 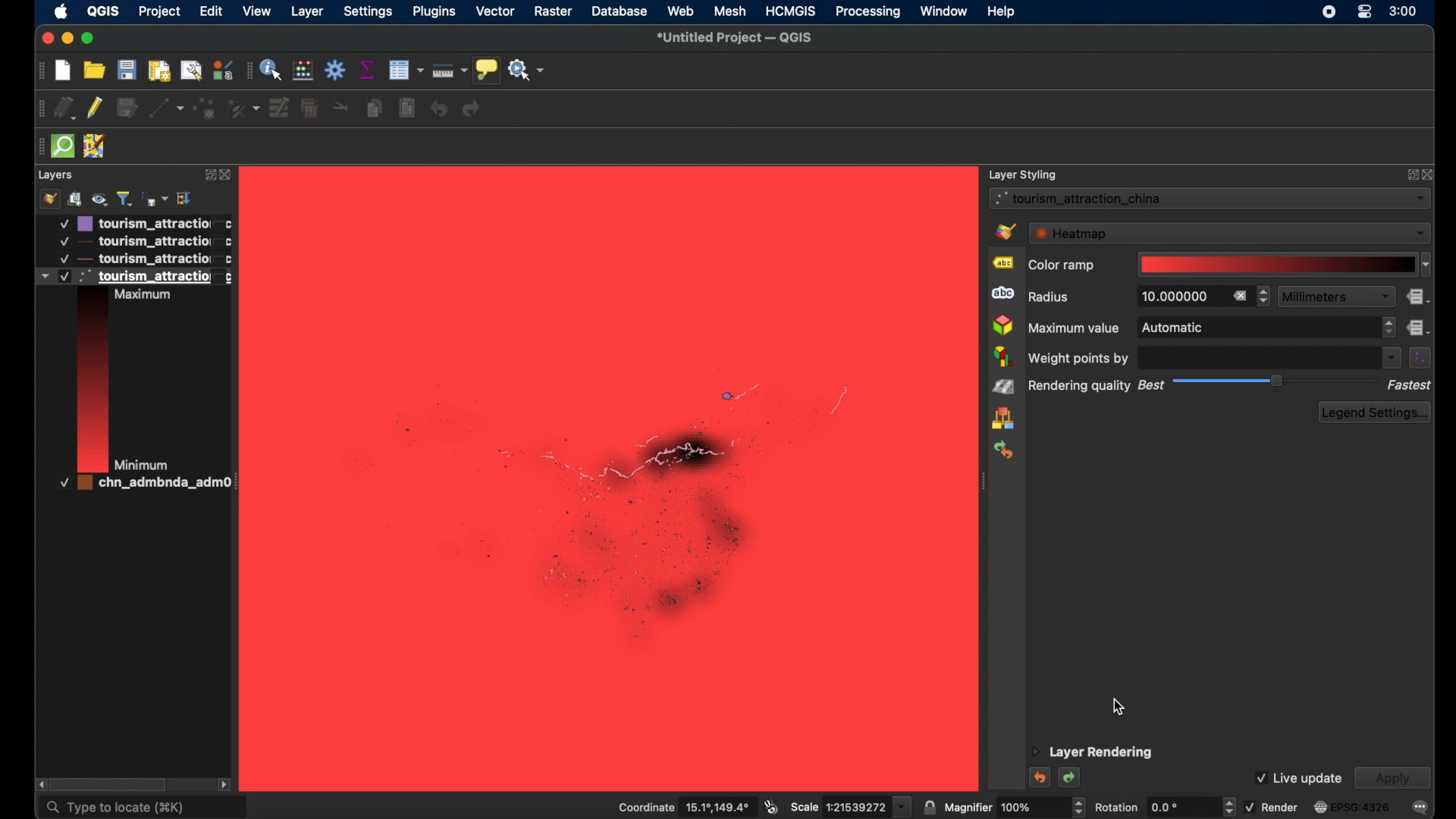 I want to click on vertex tool, so click(x=243, y=108).